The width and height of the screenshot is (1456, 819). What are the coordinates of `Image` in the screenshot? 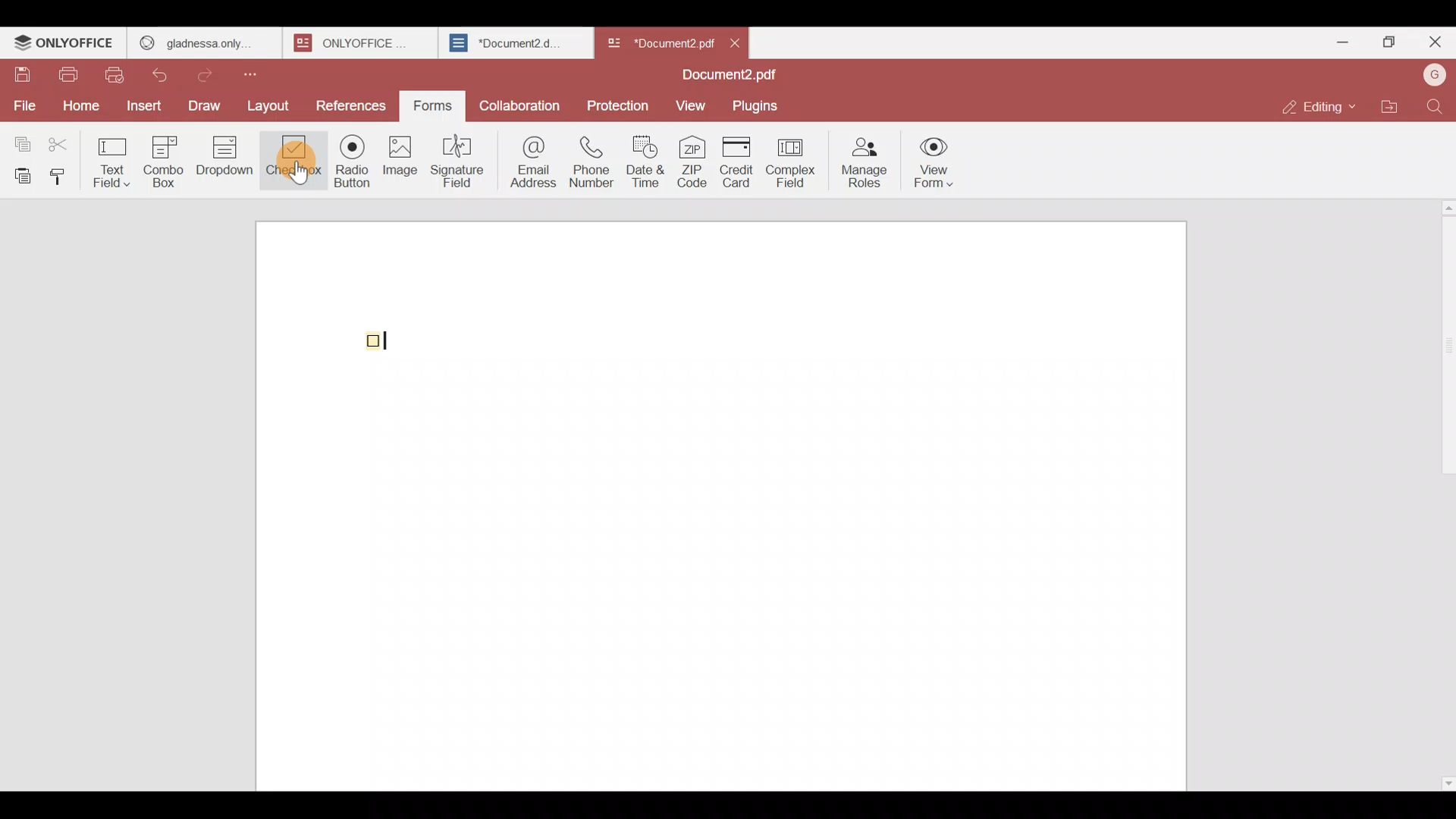 It's located at (402, 167).